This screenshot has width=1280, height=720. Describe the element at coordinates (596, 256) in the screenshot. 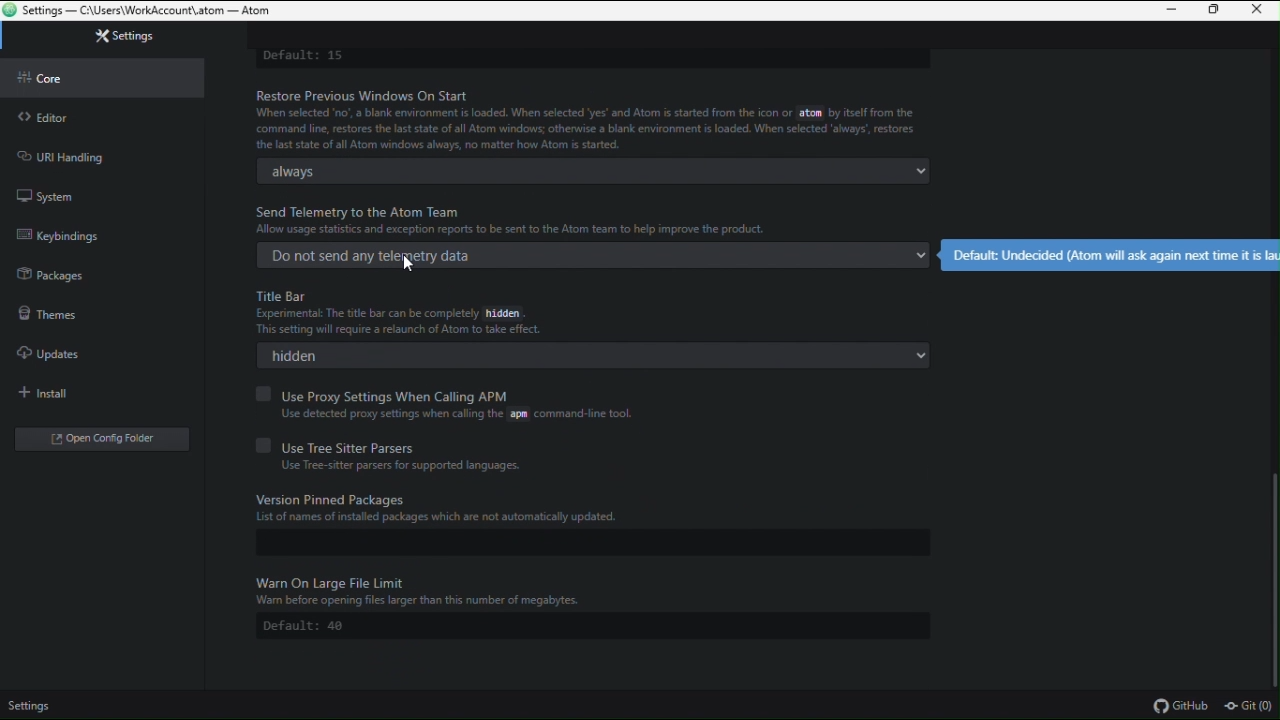

I see `Undecided (Atom will ask again next time it is launched)` at that location.